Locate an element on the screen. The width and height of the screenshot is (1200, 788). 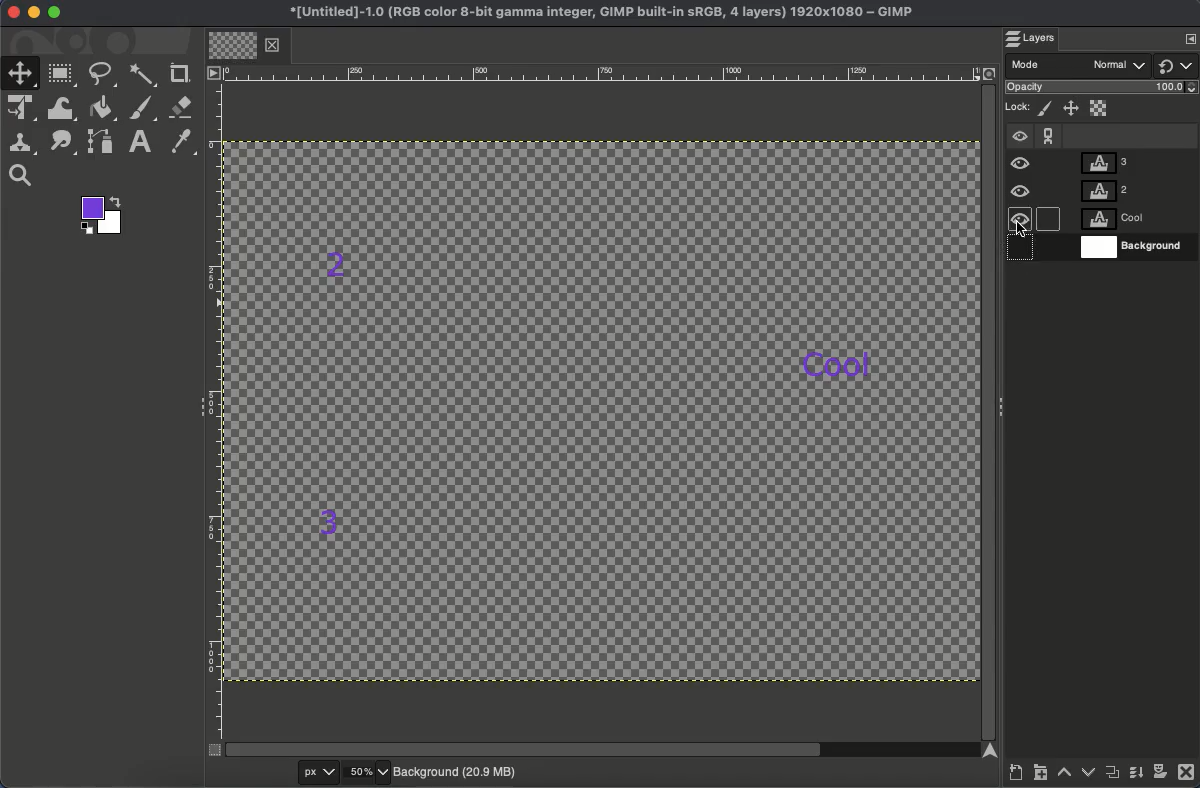
50% is located at coordinates (366, 772).